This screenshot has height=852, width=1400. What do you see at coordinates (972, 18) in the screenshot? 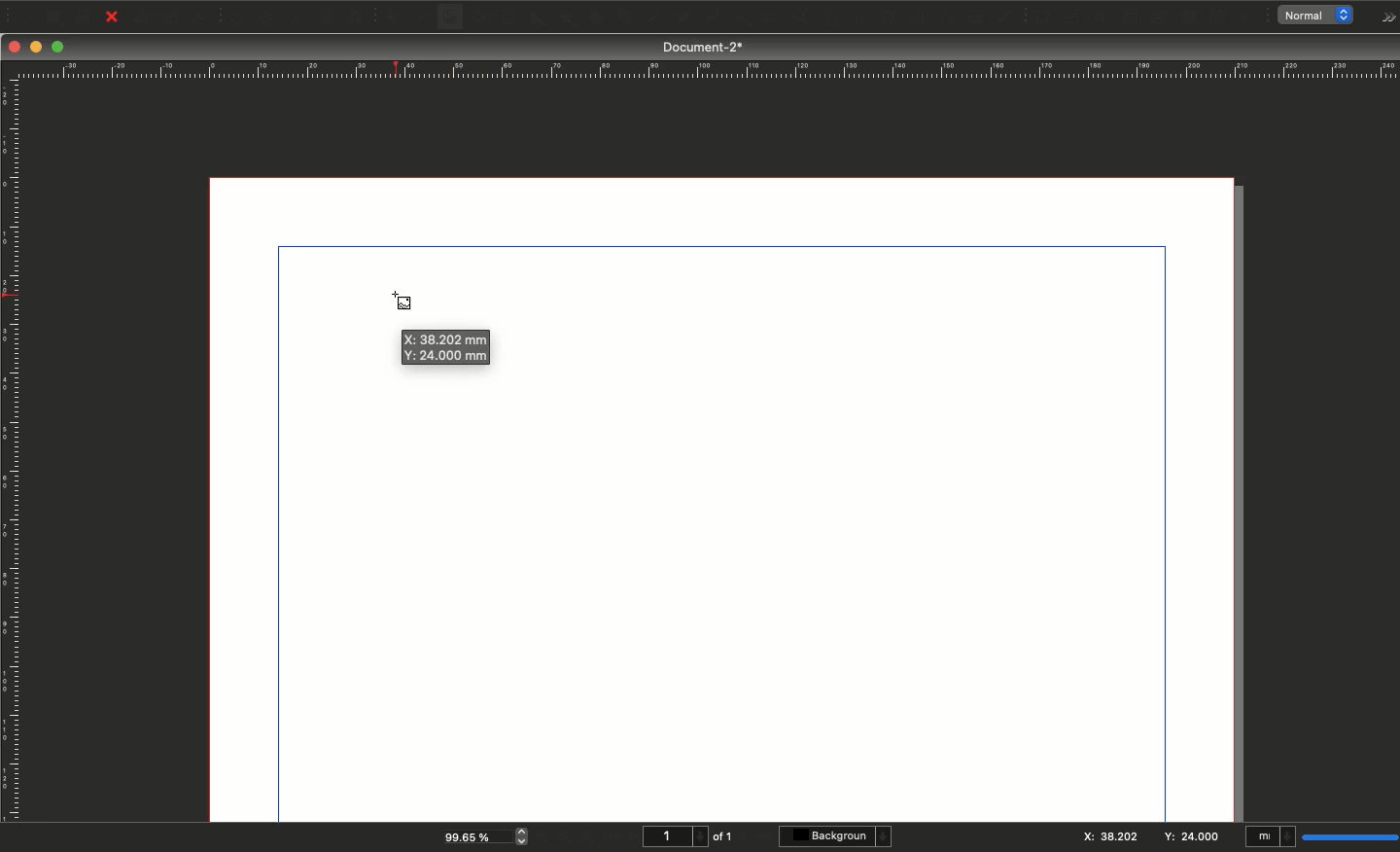
I see `Copy item properties` at bounding box center [972, 18].